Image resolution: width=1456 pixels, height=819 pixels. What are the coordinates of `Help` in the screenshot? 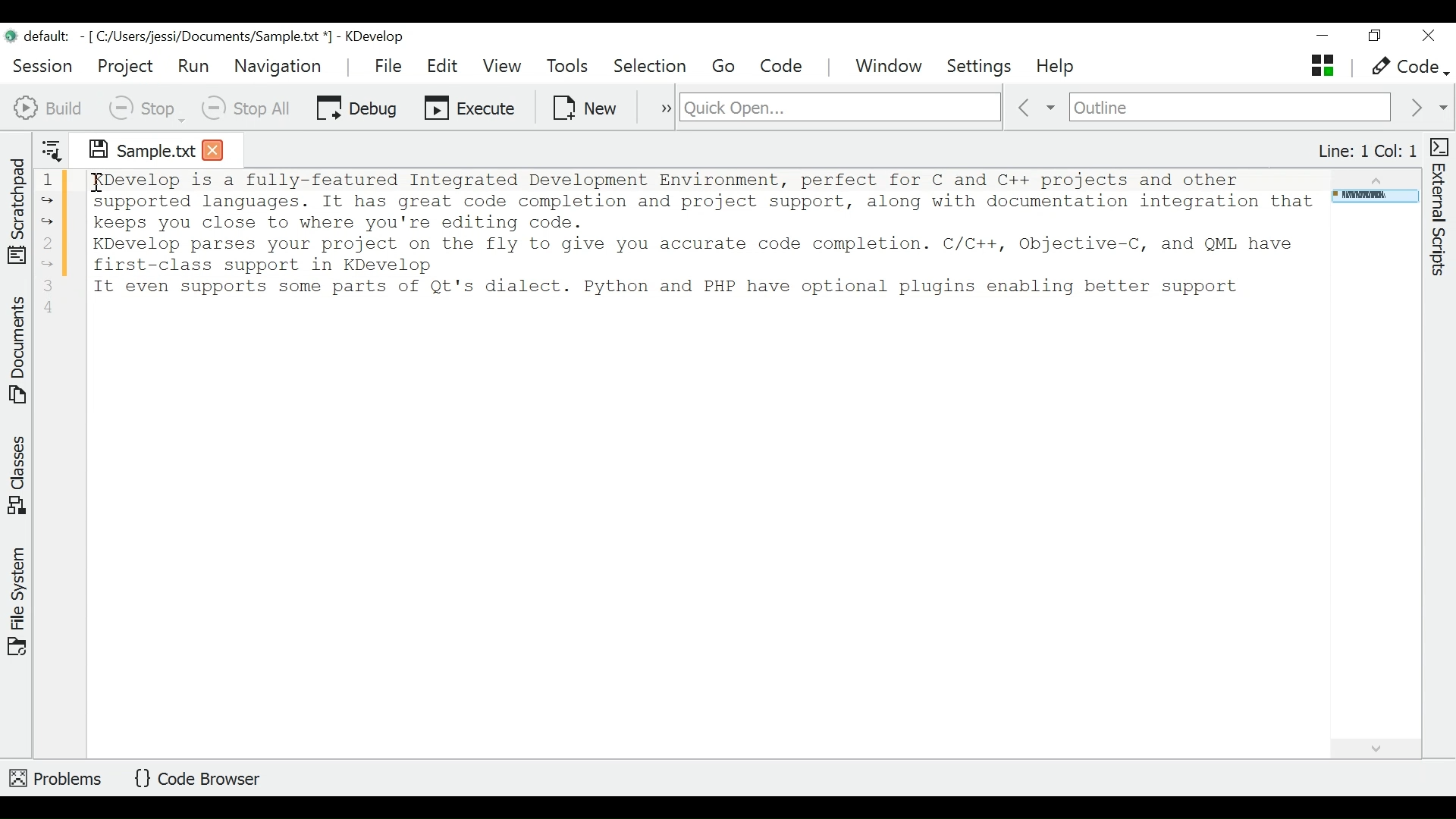 It's located at (1057, 67).